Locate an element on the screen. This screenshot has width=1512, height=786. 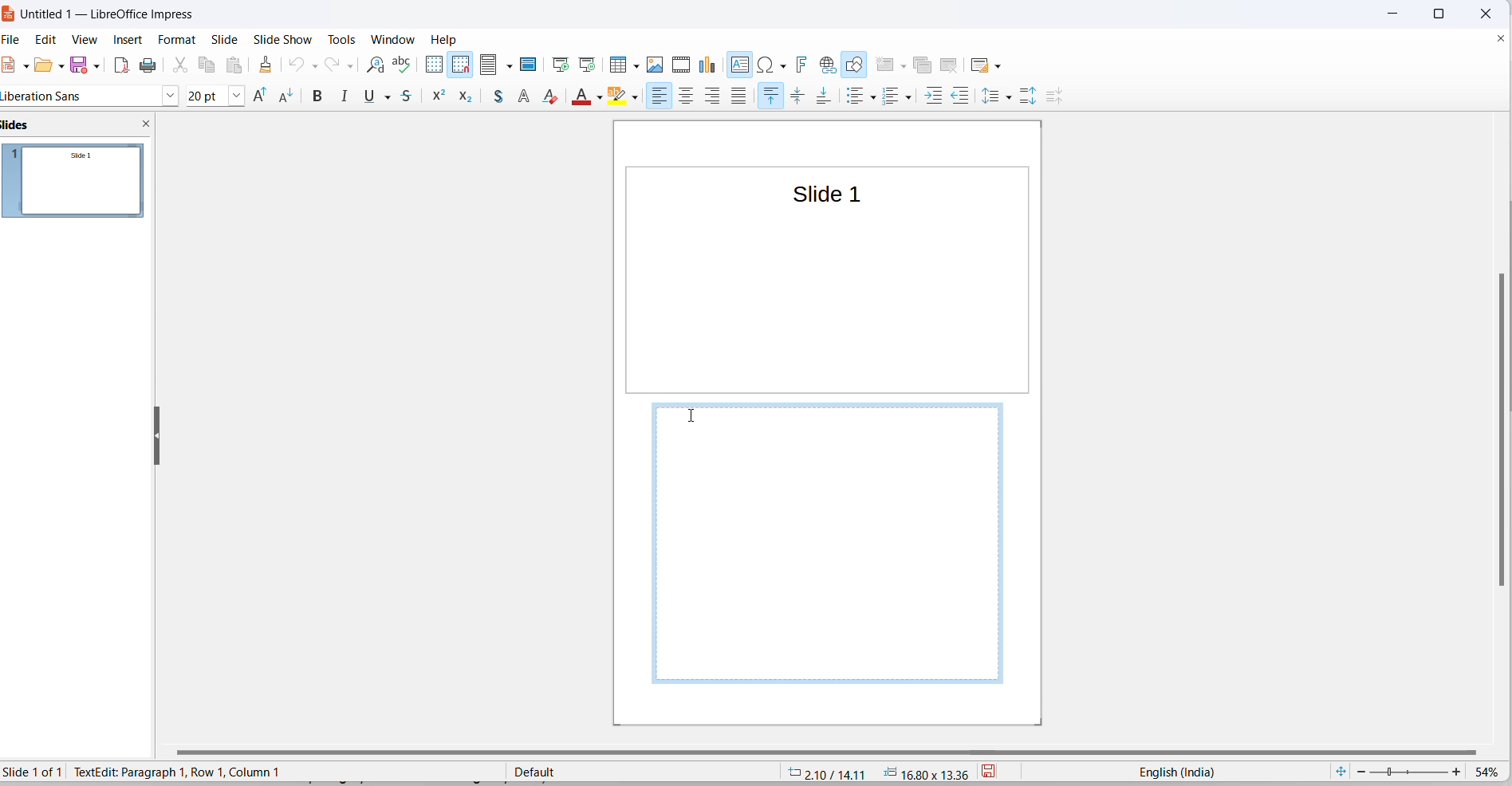
stars is located at coordinates (522, 95).